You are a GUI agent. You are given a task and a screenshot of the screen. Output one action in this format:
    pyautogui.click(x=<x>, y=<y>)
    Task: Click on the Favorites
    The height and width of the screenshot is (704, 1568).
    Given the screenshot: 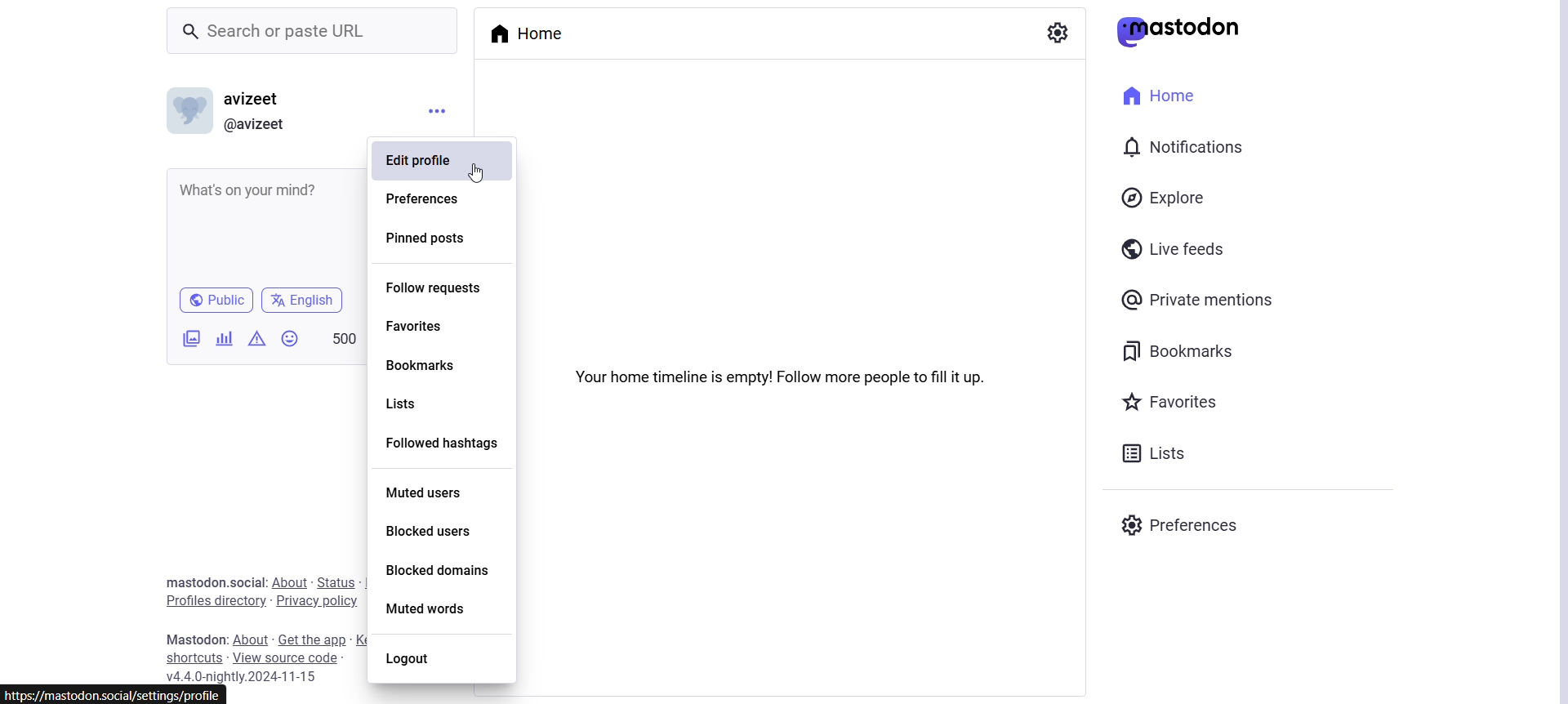 What is the action you would take?
    pyautogui.click(x=430, y=325)
    